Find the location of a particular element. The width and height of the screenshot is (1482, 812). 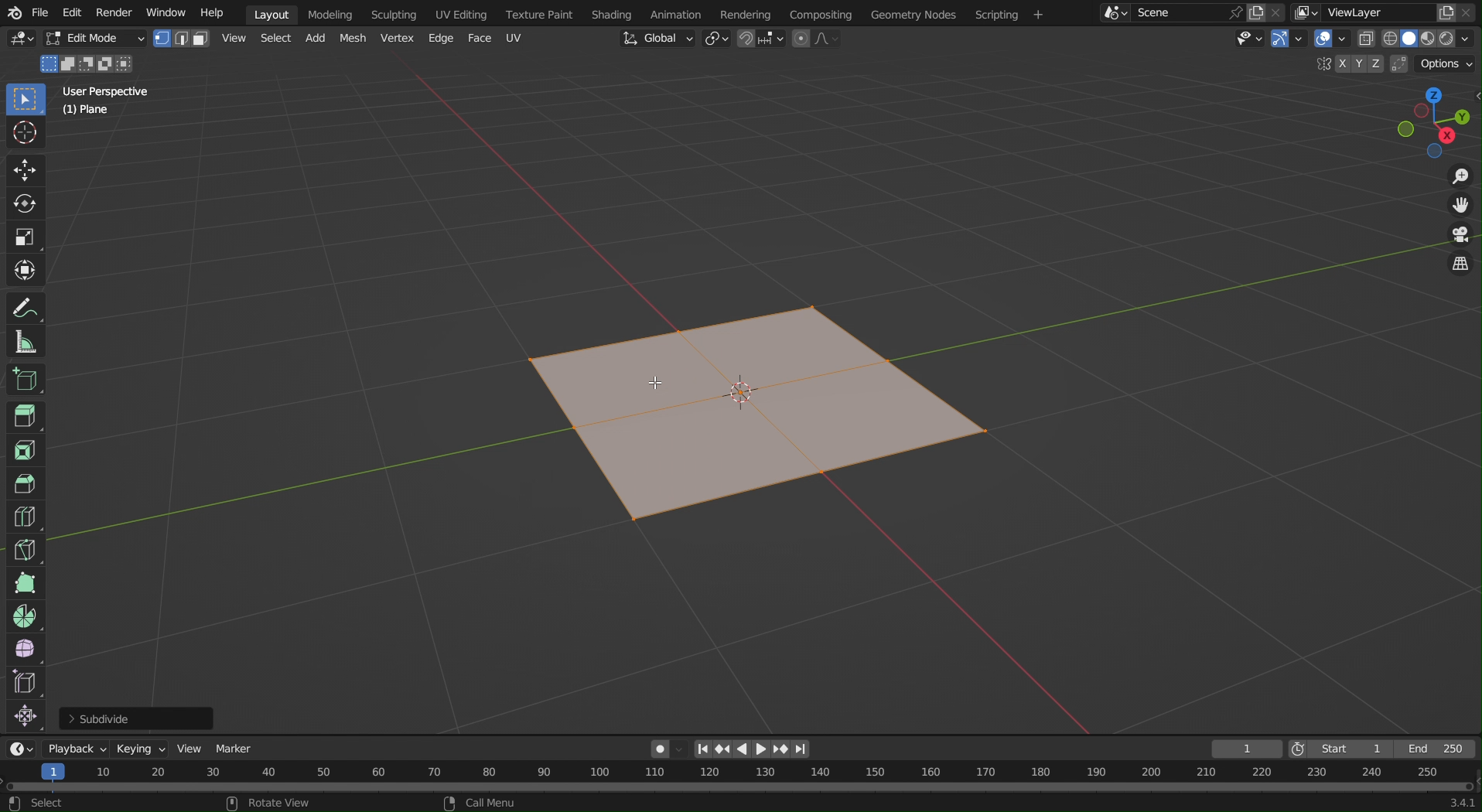

Show Object Types is located at coordinates (1248, 43).